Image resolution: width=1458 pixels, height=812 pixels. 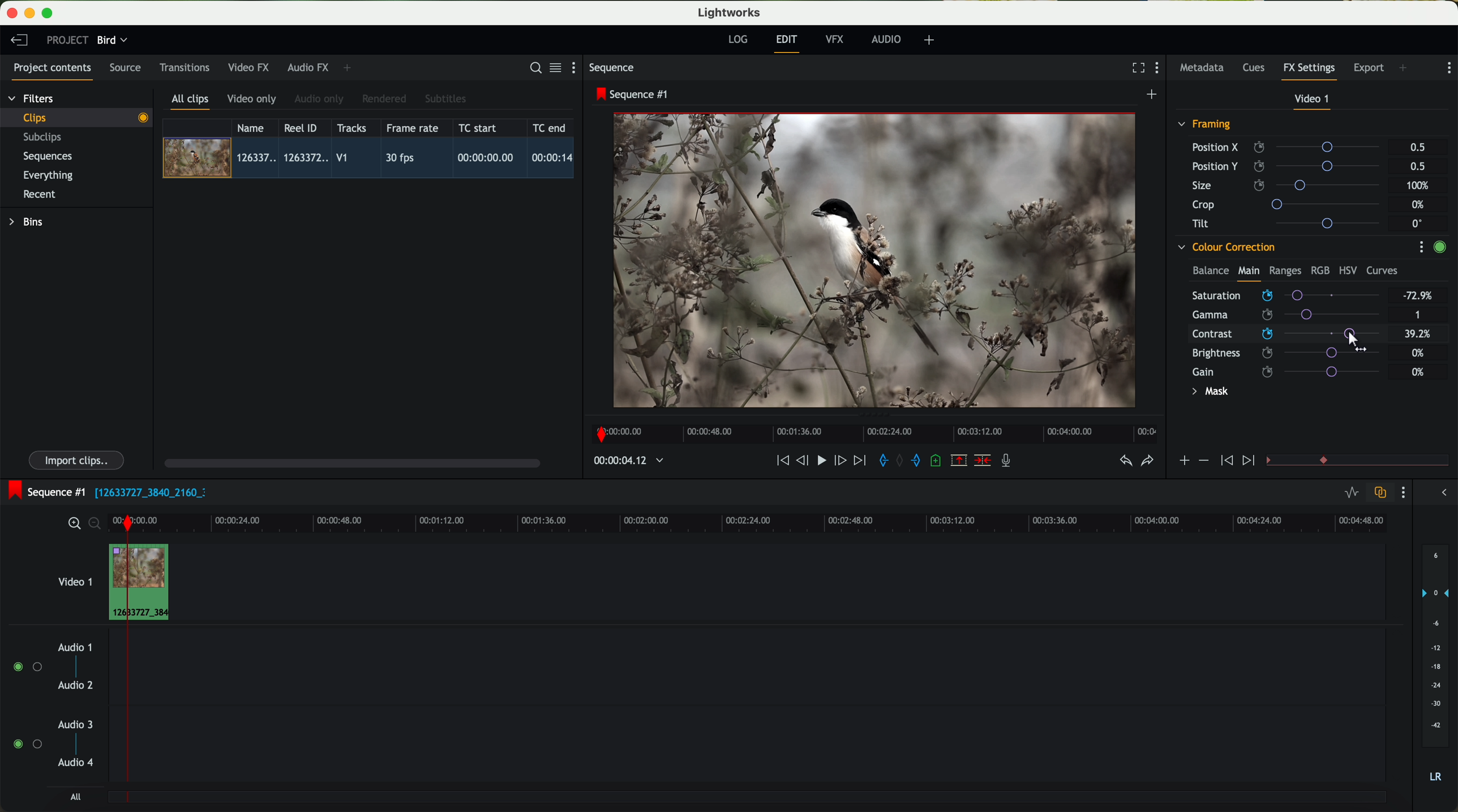 I want to click on crop, so click(x=1290, y=204).